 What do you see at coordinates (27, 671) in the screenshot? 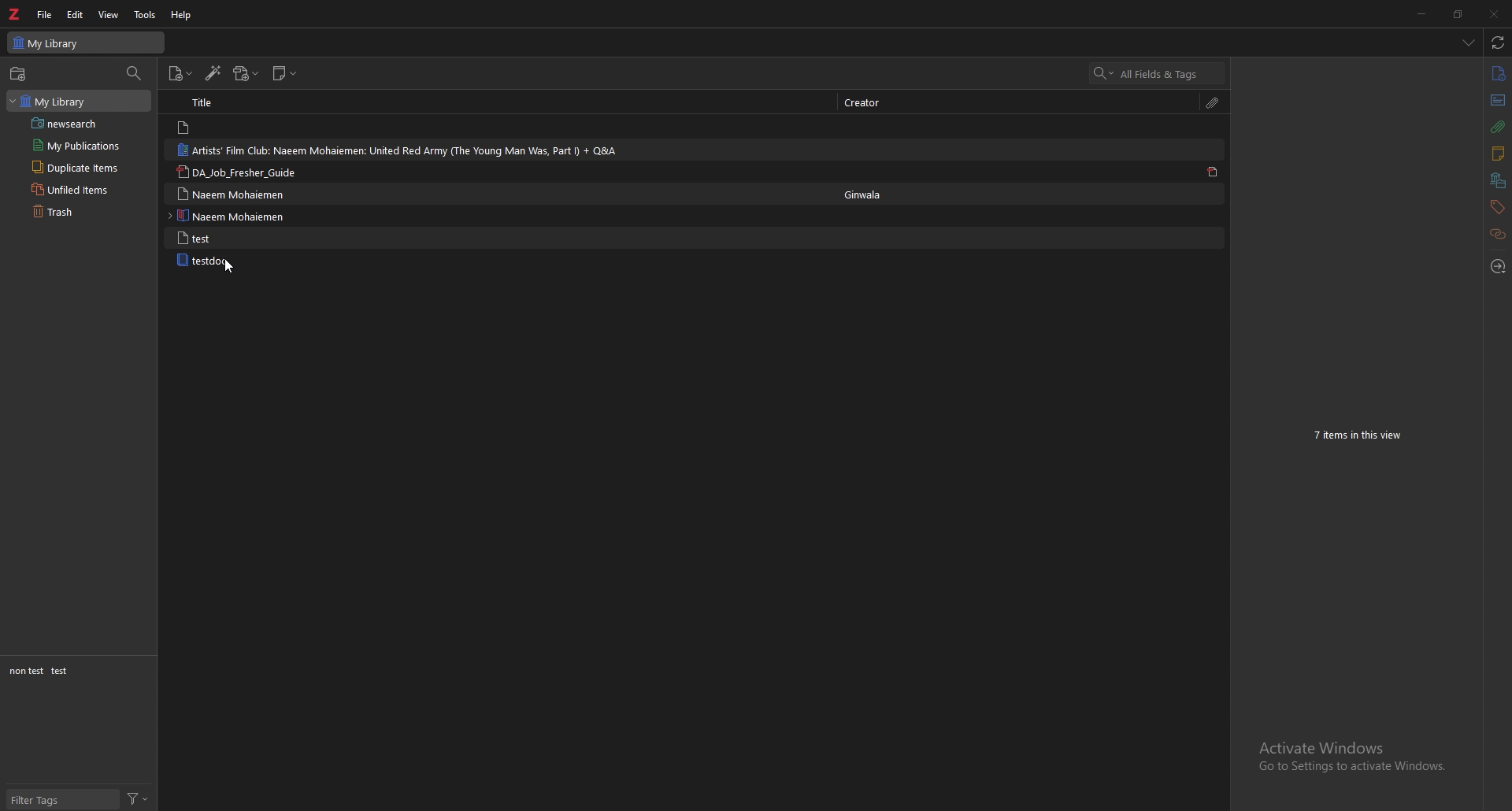
I see `non test` at bounding box center [27, 671].